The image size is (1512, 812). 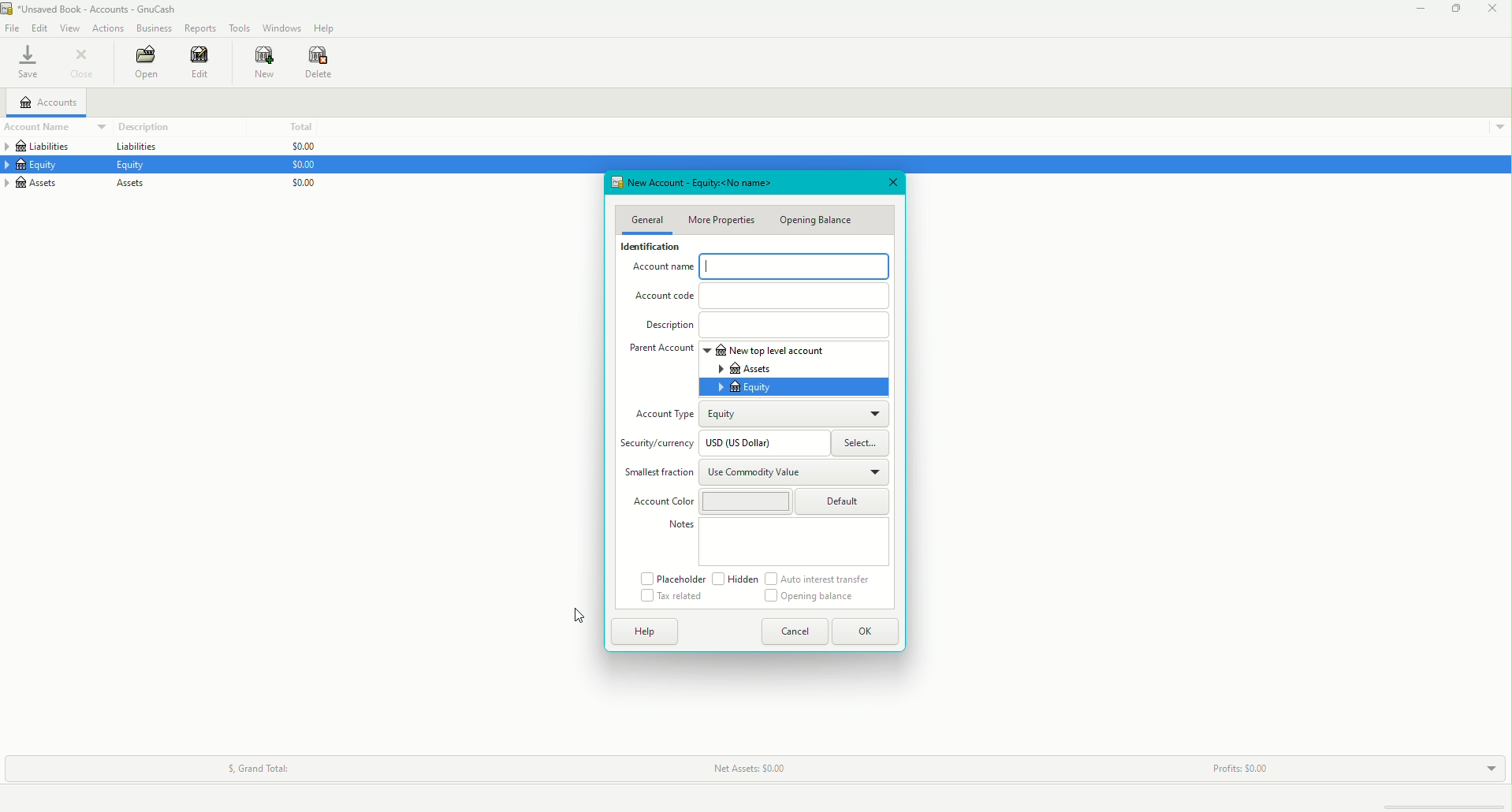 I want to click on Total, so click(x=300, y=126).